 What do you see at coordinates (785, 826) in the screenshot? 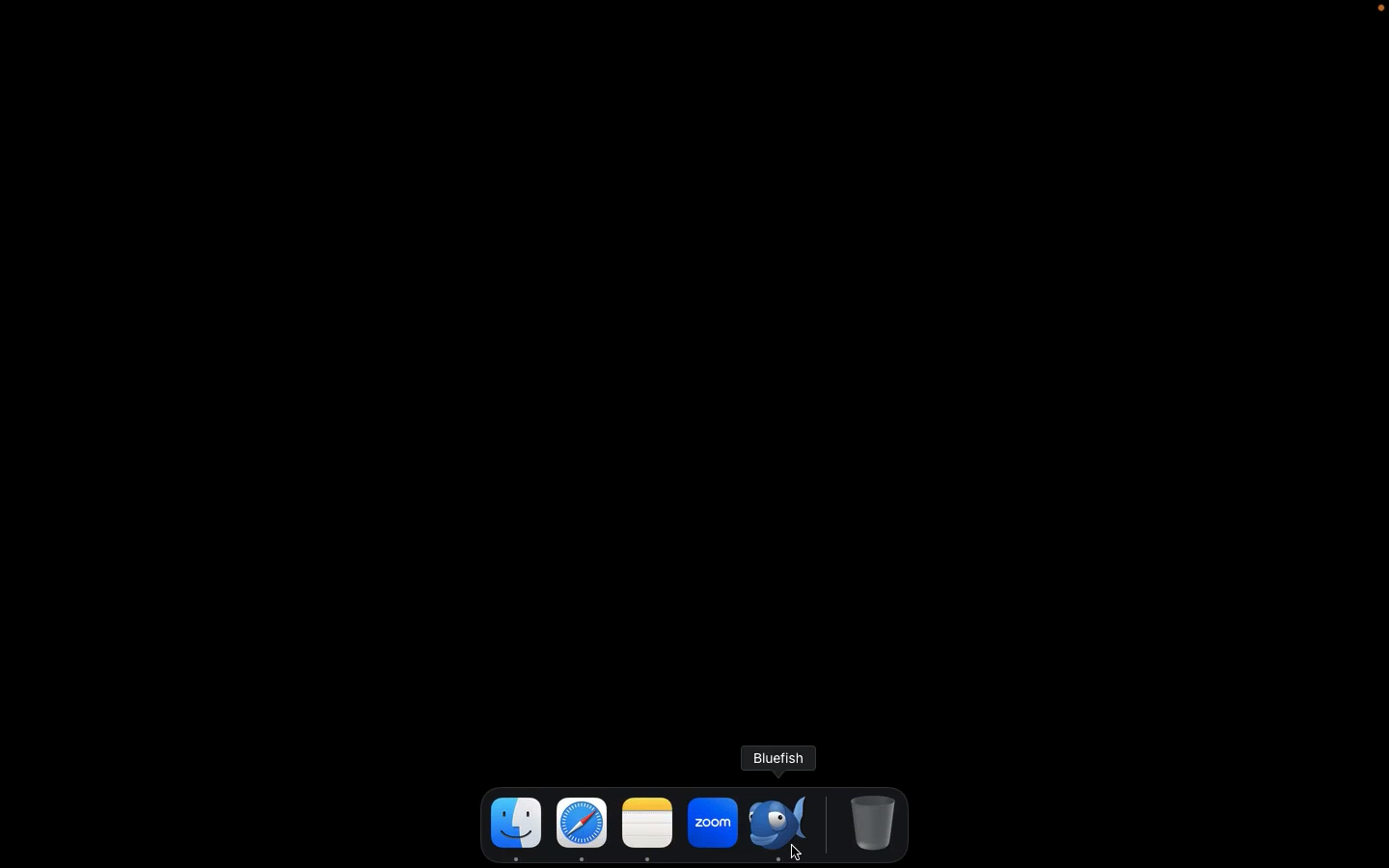
I see `Bluefish` at bounding box center [785, 826].